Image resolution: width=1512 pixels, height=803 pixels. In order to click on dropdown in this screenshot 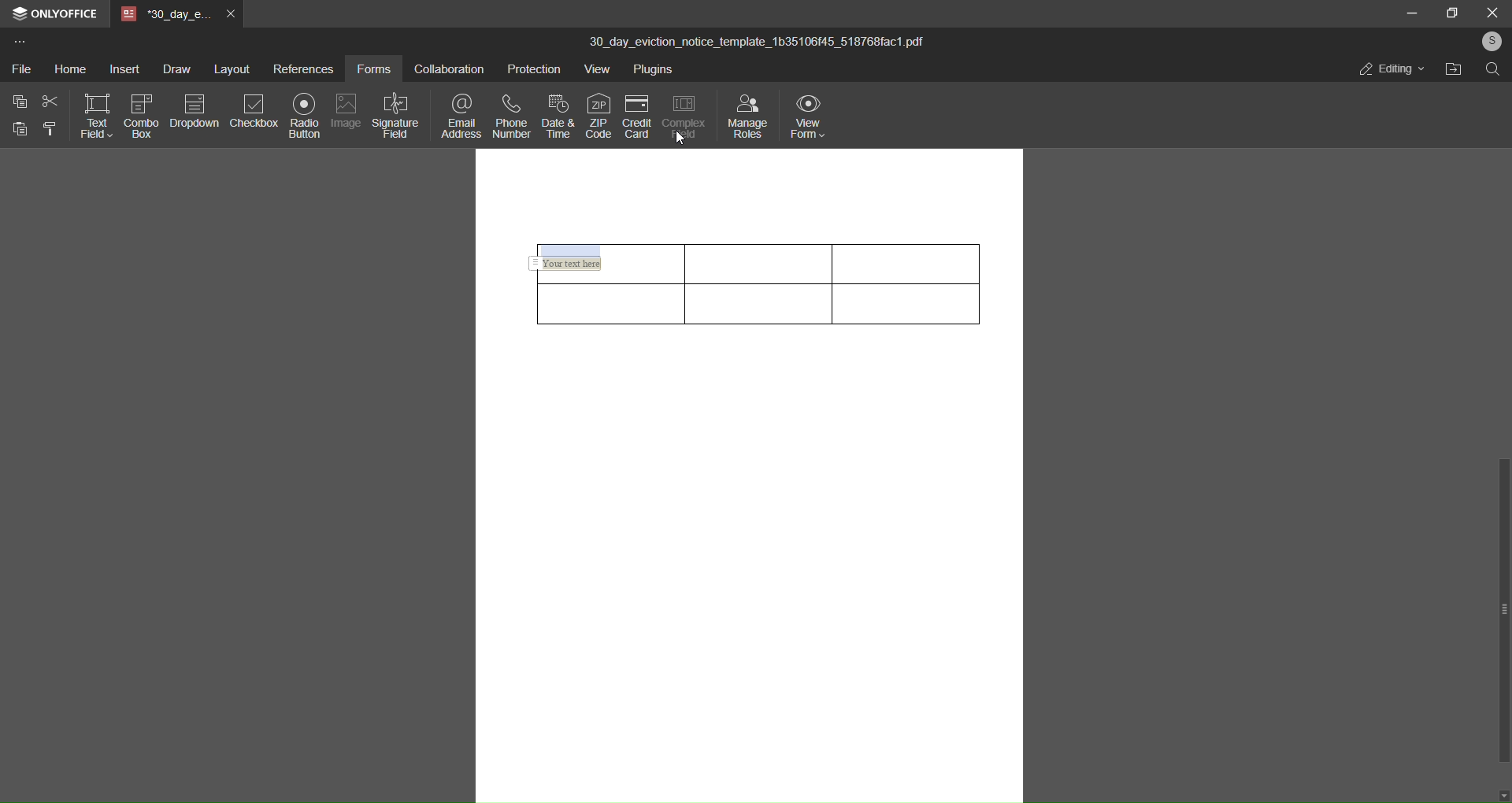, I will do `click(193, 110)`.